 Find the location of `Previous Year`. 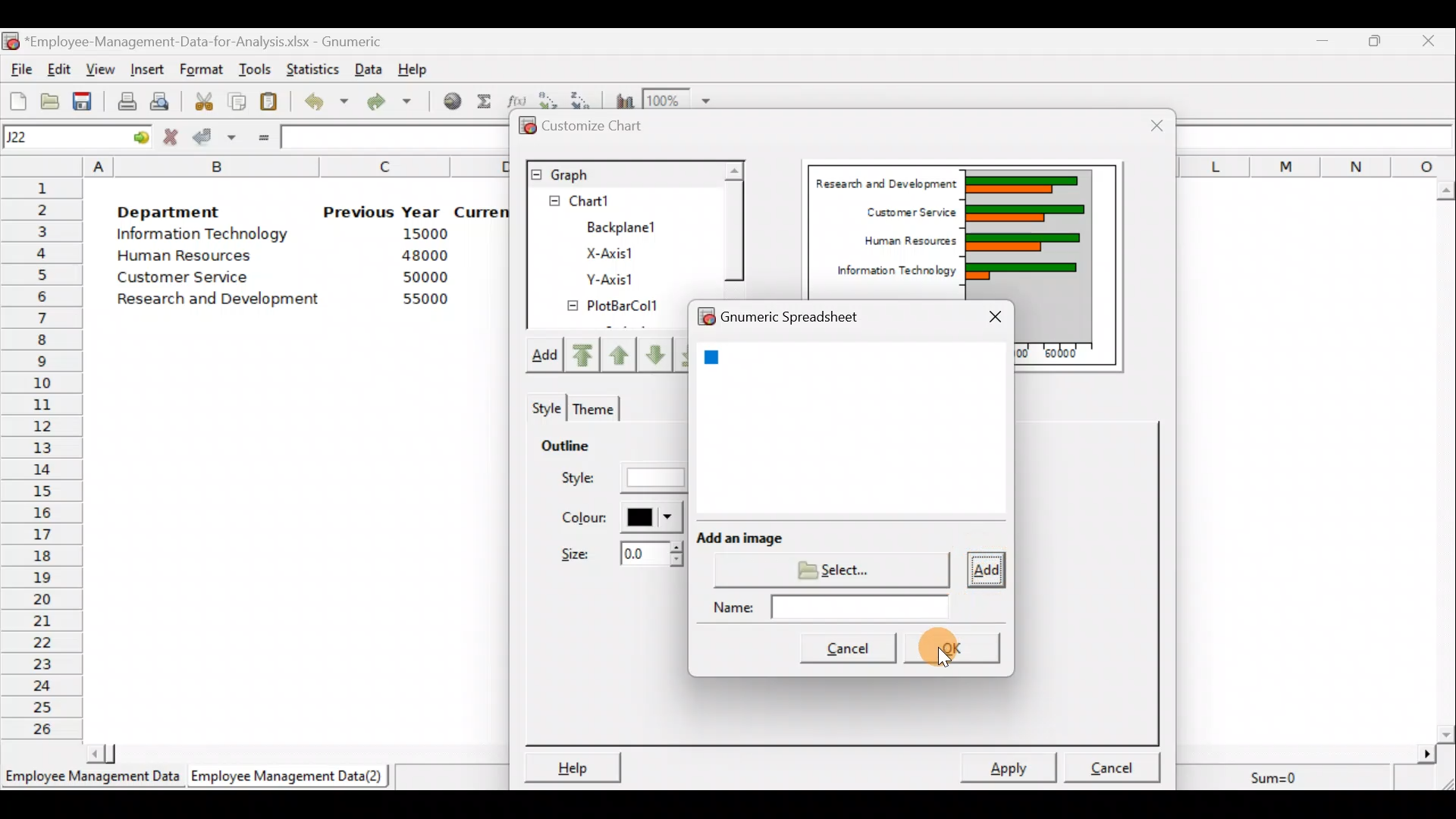

Previous Year is located at coordinates (383, 211).